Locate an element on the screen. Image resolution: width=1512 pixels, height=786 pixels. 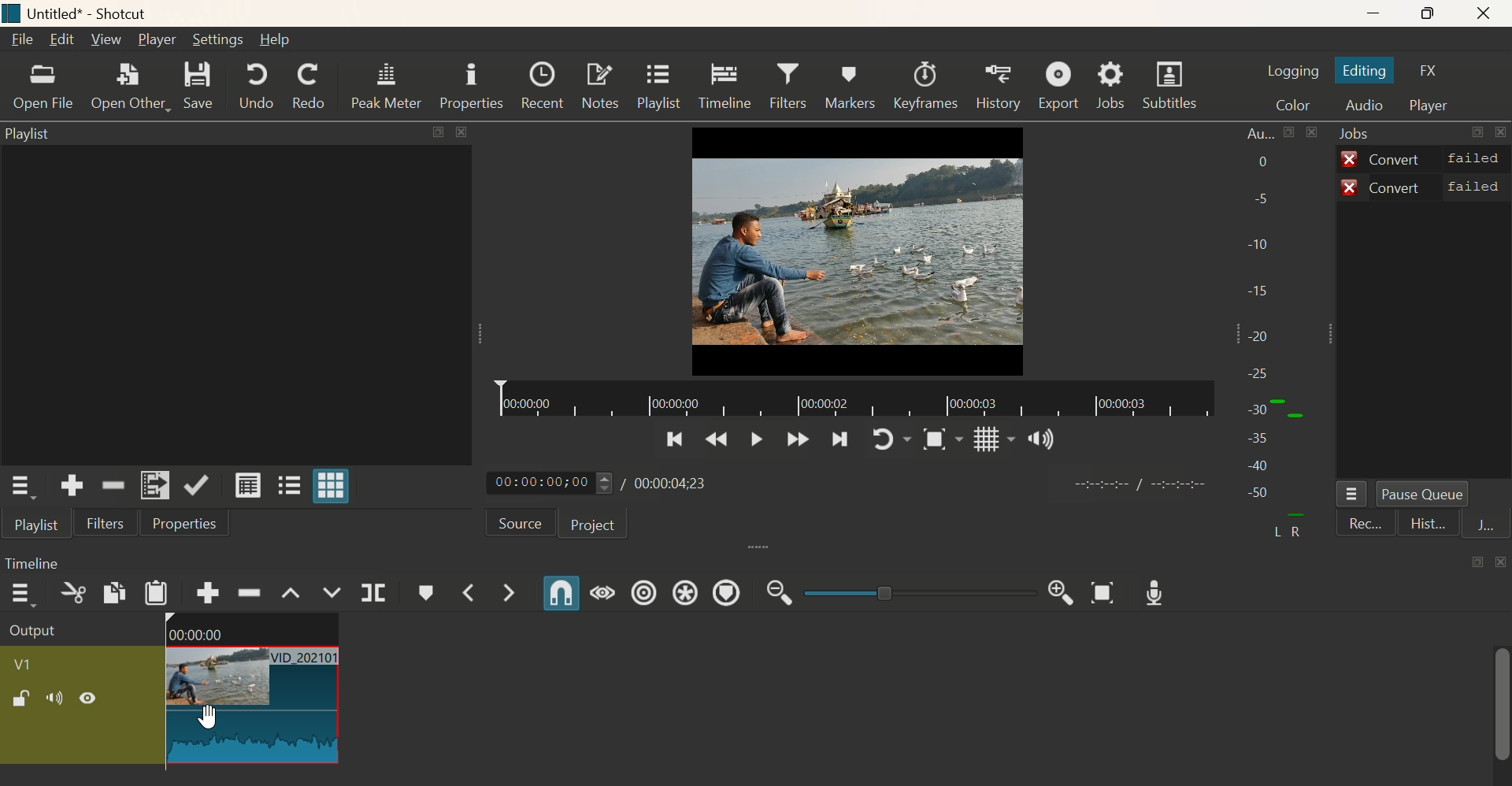
Convert is located at coordinates (1425, 187).